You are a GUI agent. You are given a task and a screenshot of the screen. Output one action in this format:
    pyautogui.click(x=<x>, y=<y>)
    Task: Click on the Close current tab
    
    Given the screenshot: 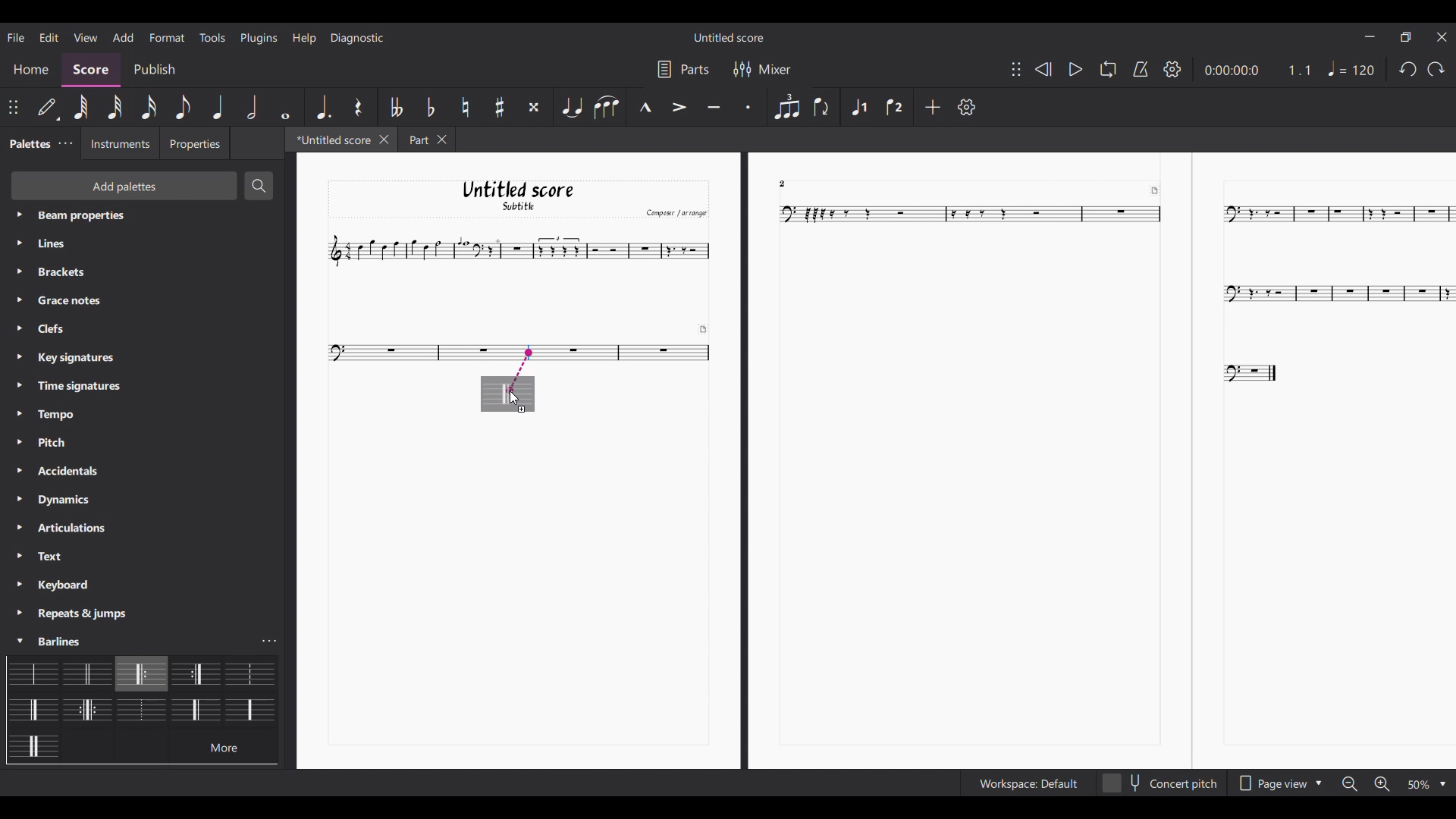 What is the action you would take?
    pyautogui.click(x=384, y=140)
    